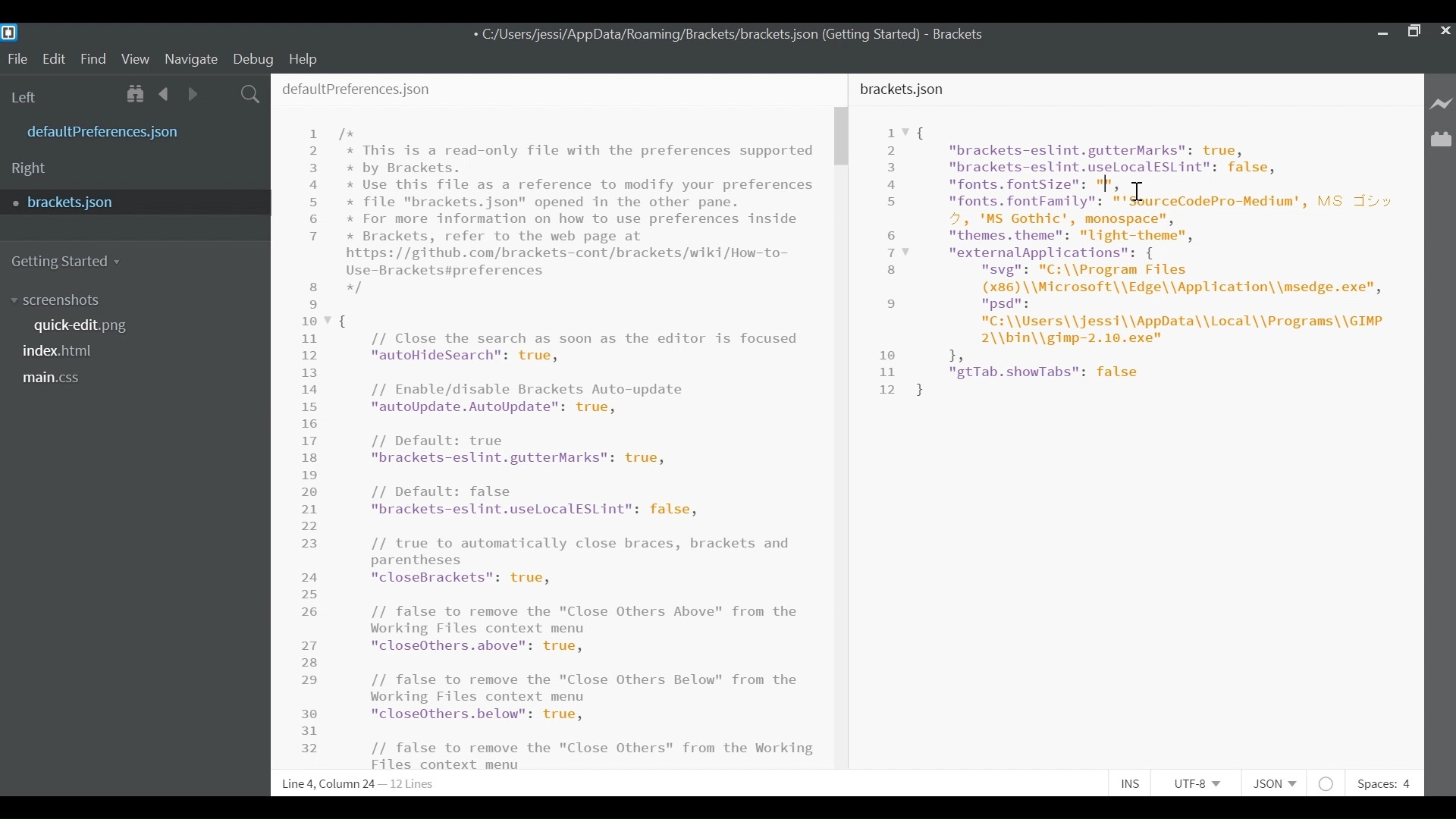 Image resolution: width=1456 pixels, height=819 pixels. What do you see at coordinates (1198, 783) in the screenshot?
I see `File Encoding` at bounding box center [1198, 783].